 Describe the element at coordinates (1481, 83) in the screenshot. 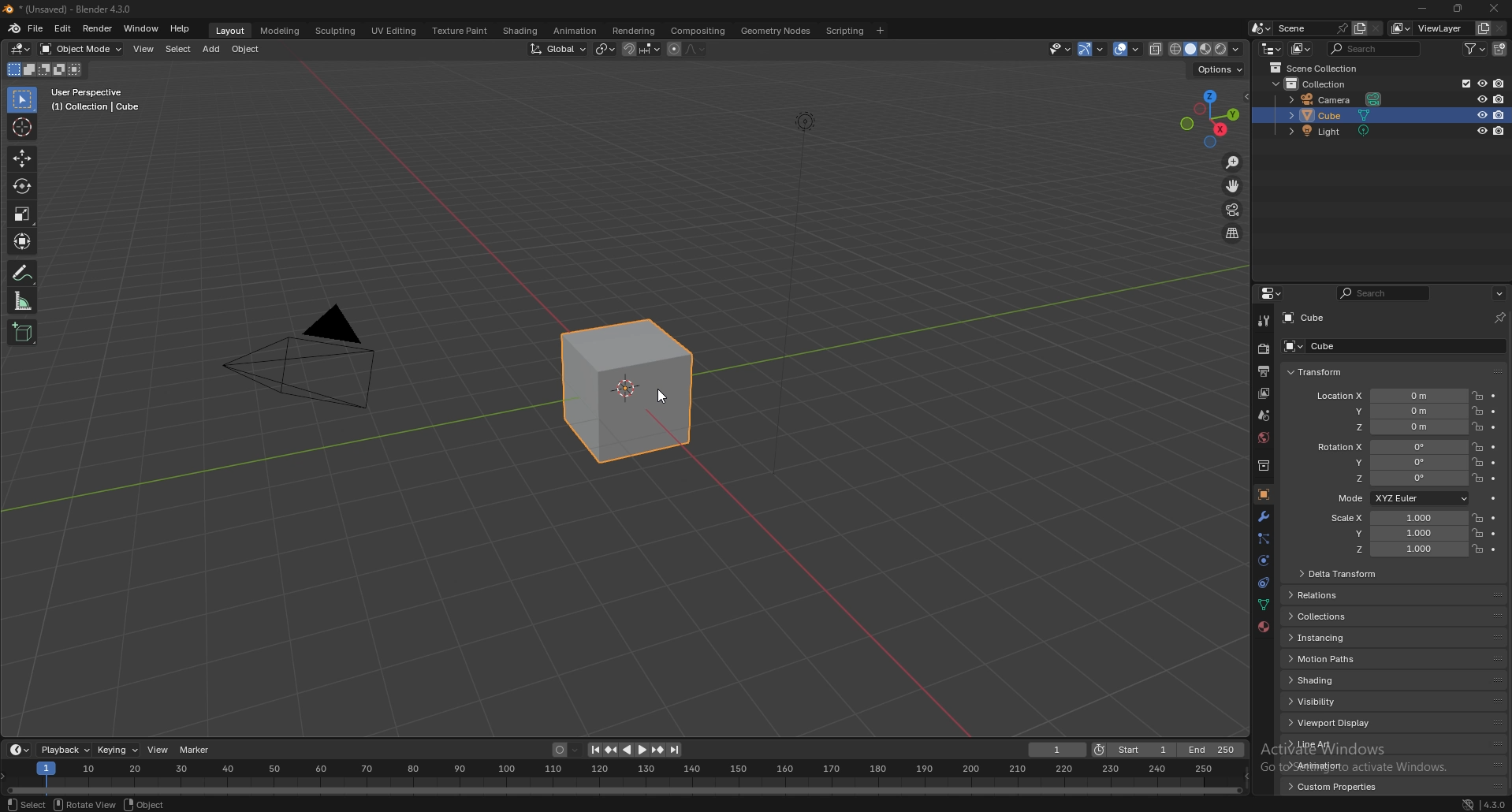

I see `hide in viewport` at that location.